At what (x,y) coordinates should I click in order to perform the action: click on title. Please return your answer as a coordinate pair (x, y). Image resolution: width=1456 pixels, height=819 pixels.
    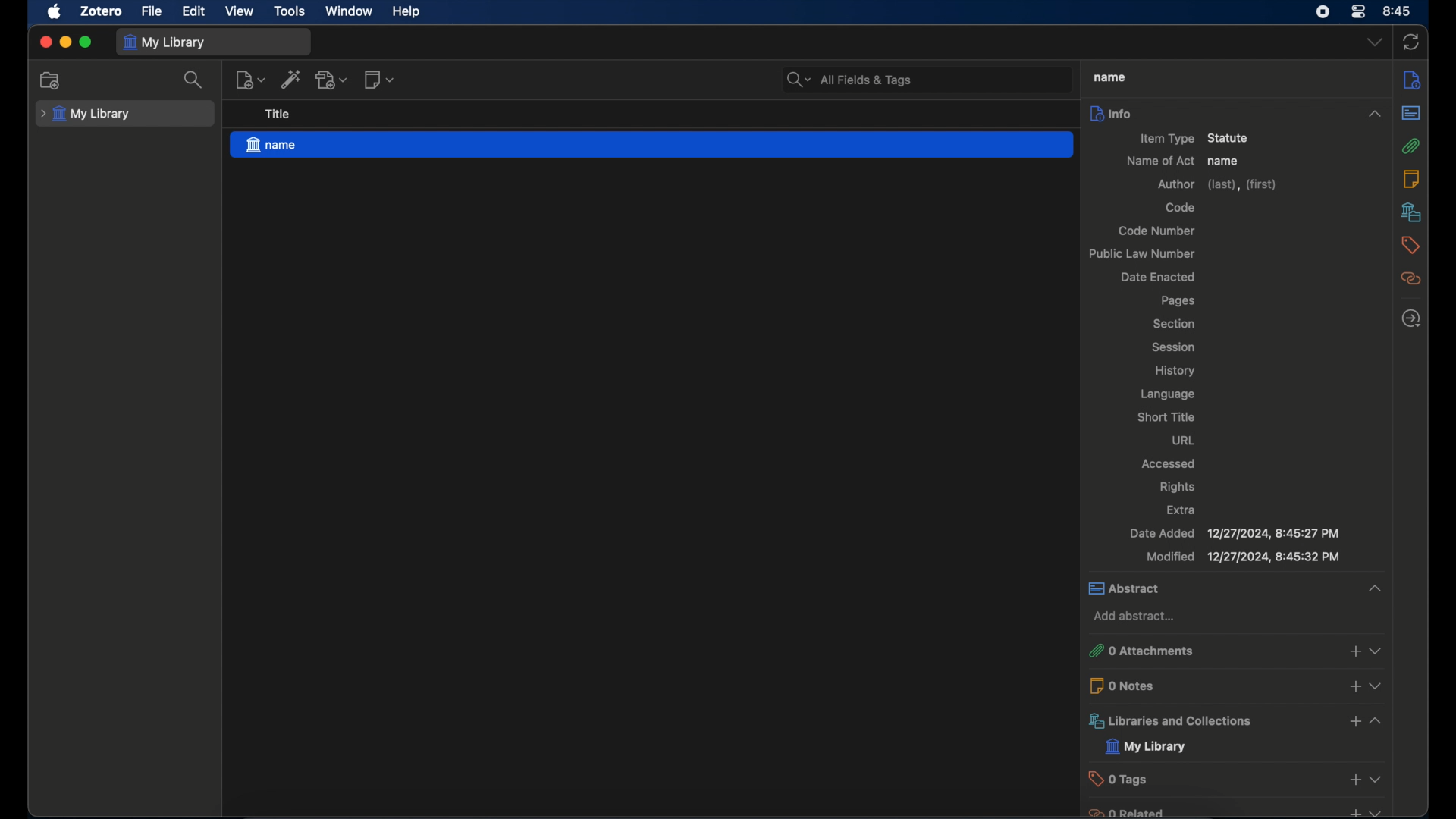
    Looking at the image, I should click on (279, 115).